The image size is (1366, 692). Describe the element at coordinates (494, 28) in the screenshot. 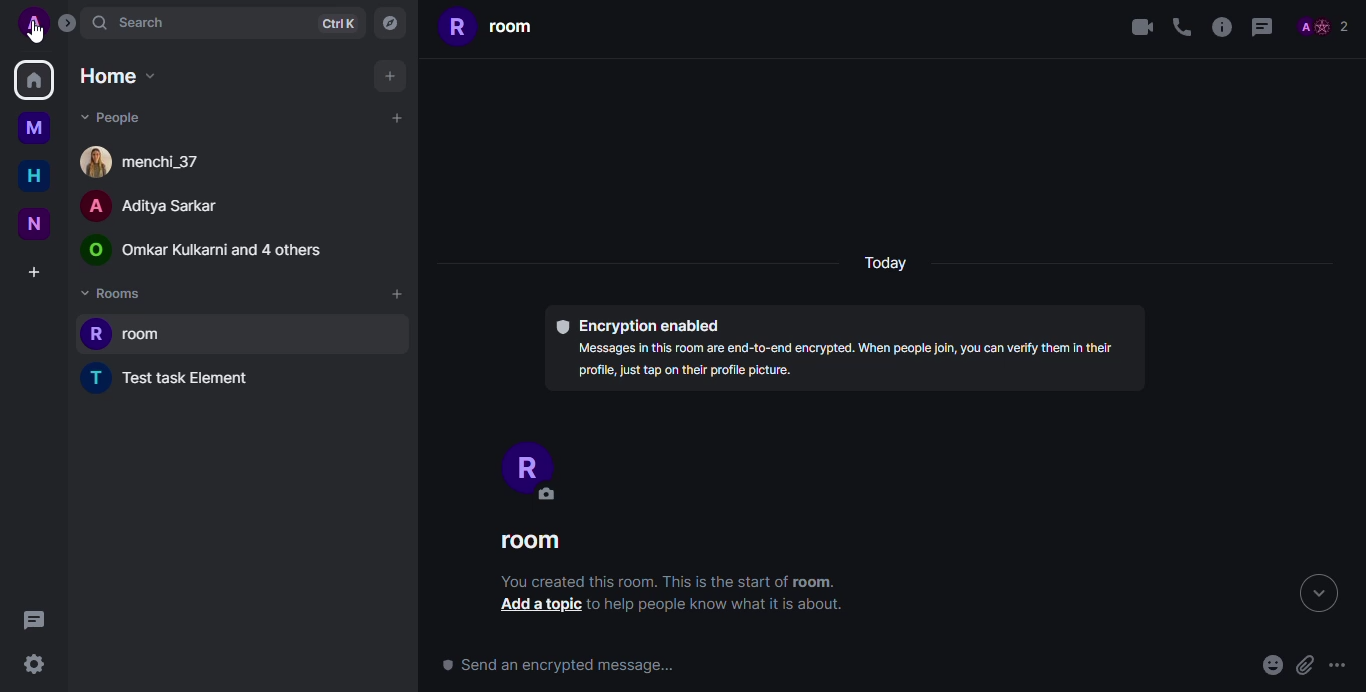

I see `room` at that location.